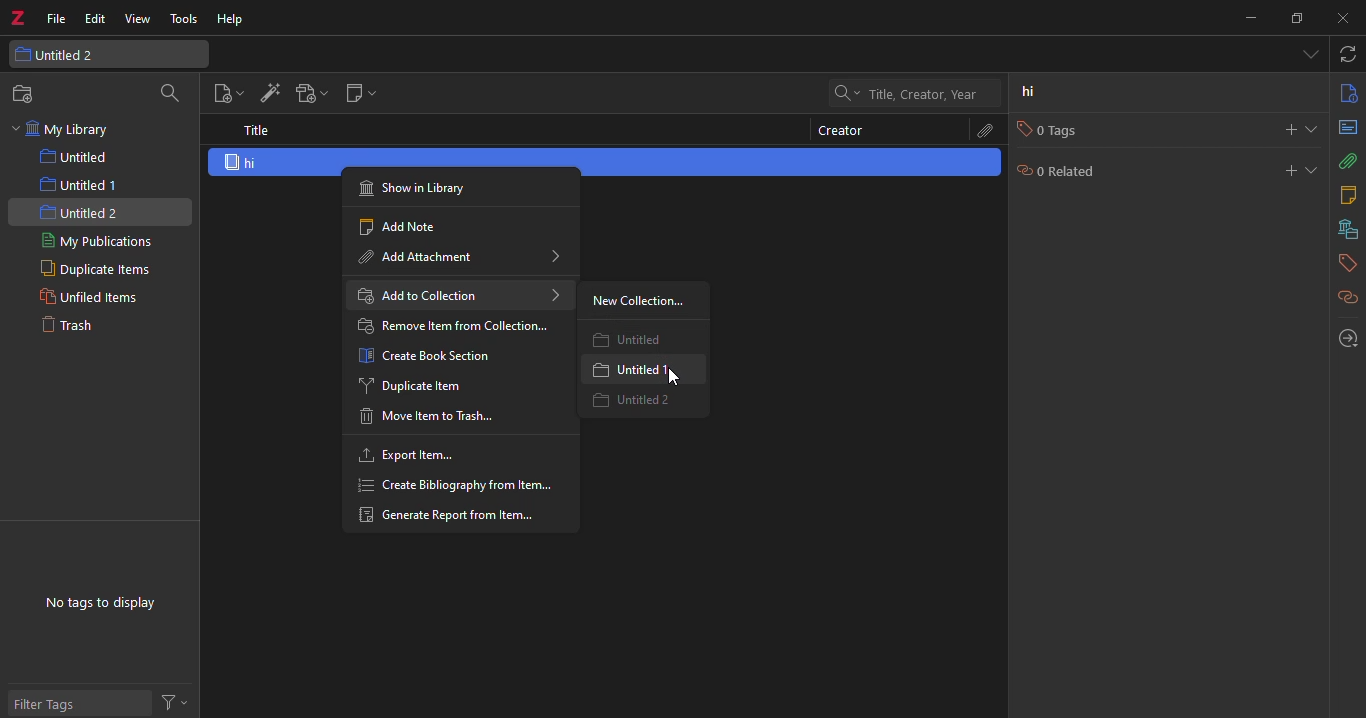 This screenshot has width=1366, height=718. Describe the element at coordinates (1346, 297) in the screenshot. I see `related` at that location.